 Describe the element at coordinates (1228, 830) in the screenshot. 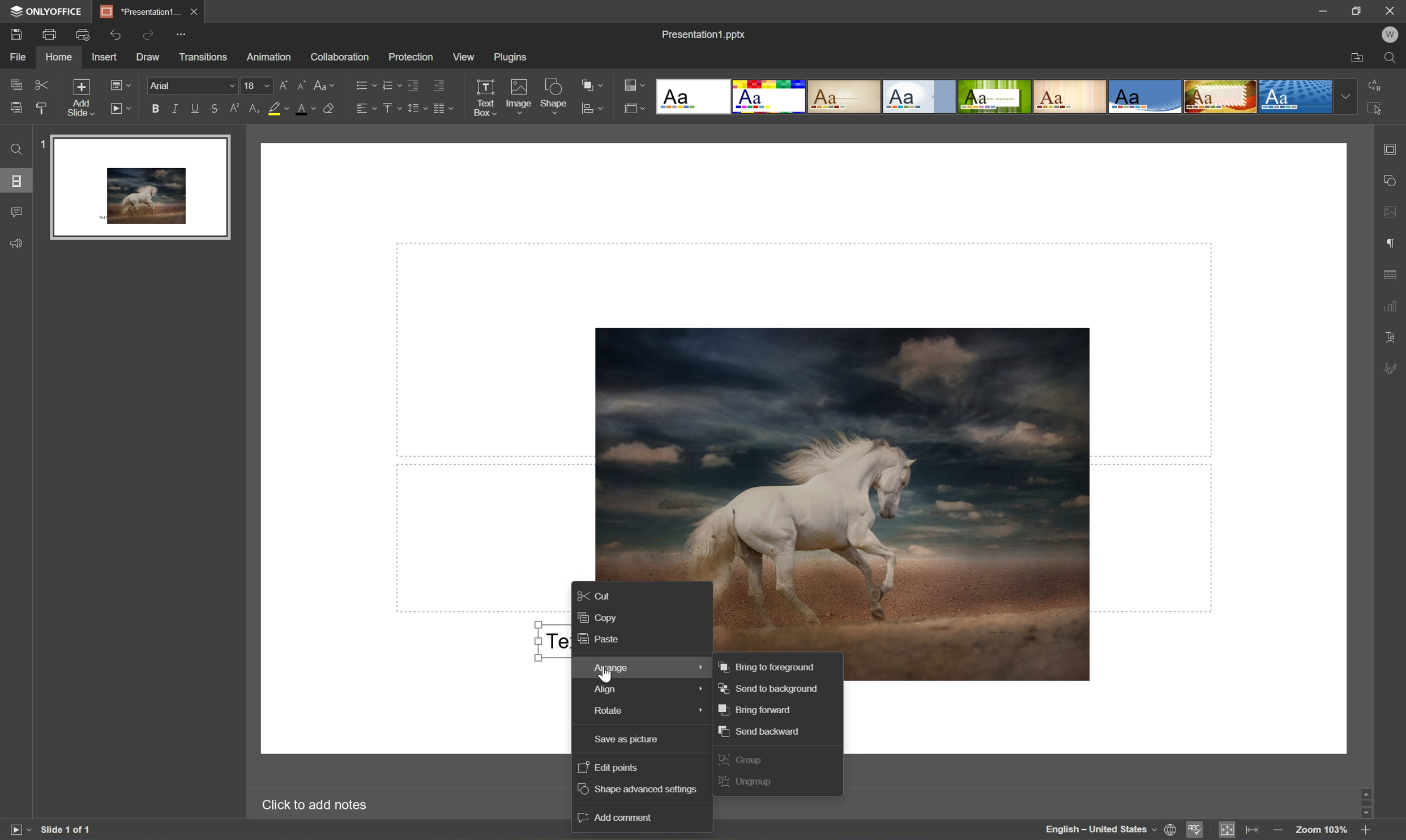

I see `Fit to slide` at that location.